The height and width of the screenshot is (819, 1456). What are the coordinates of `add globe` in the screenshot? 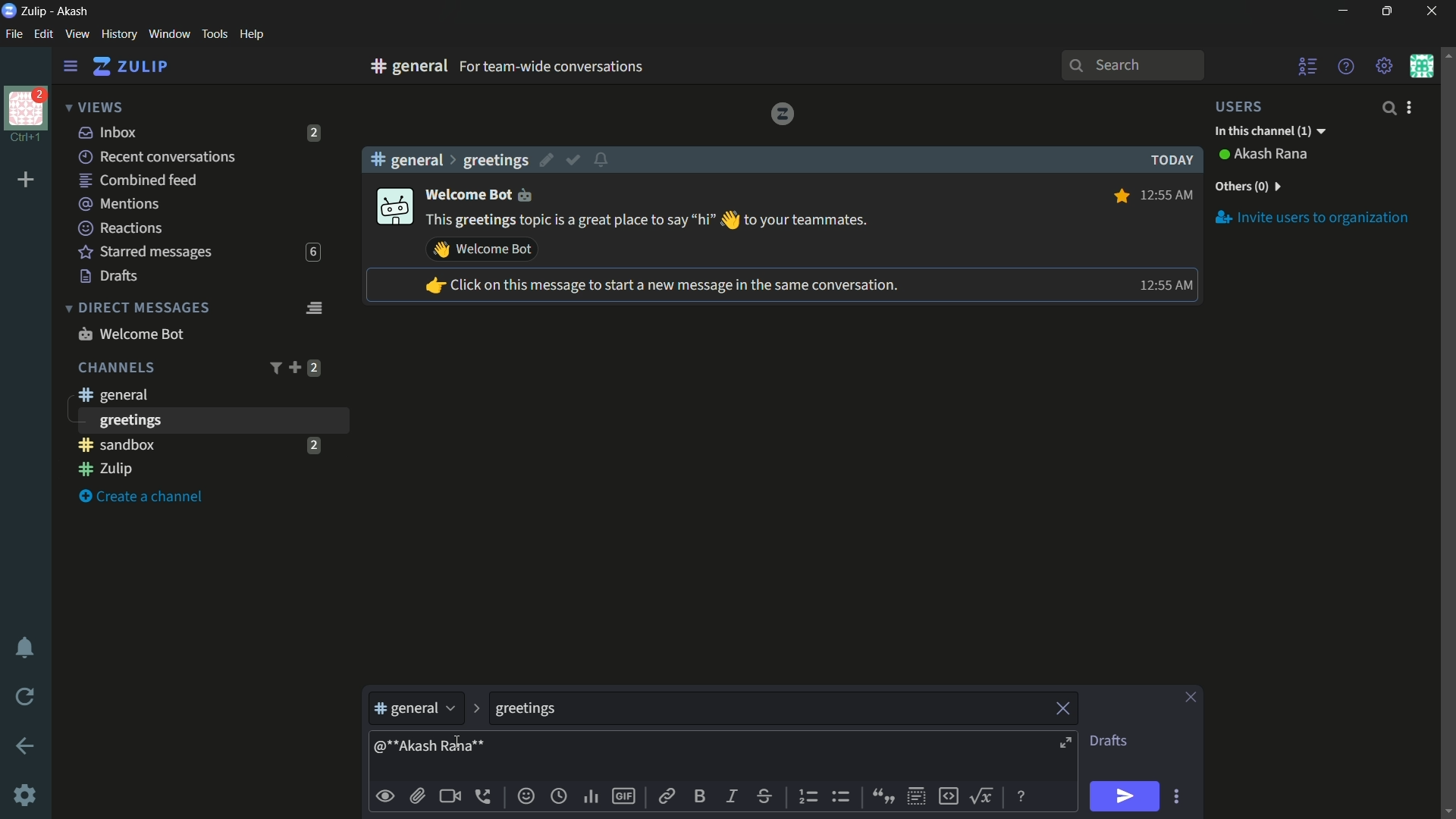 It's located at (559, 798).